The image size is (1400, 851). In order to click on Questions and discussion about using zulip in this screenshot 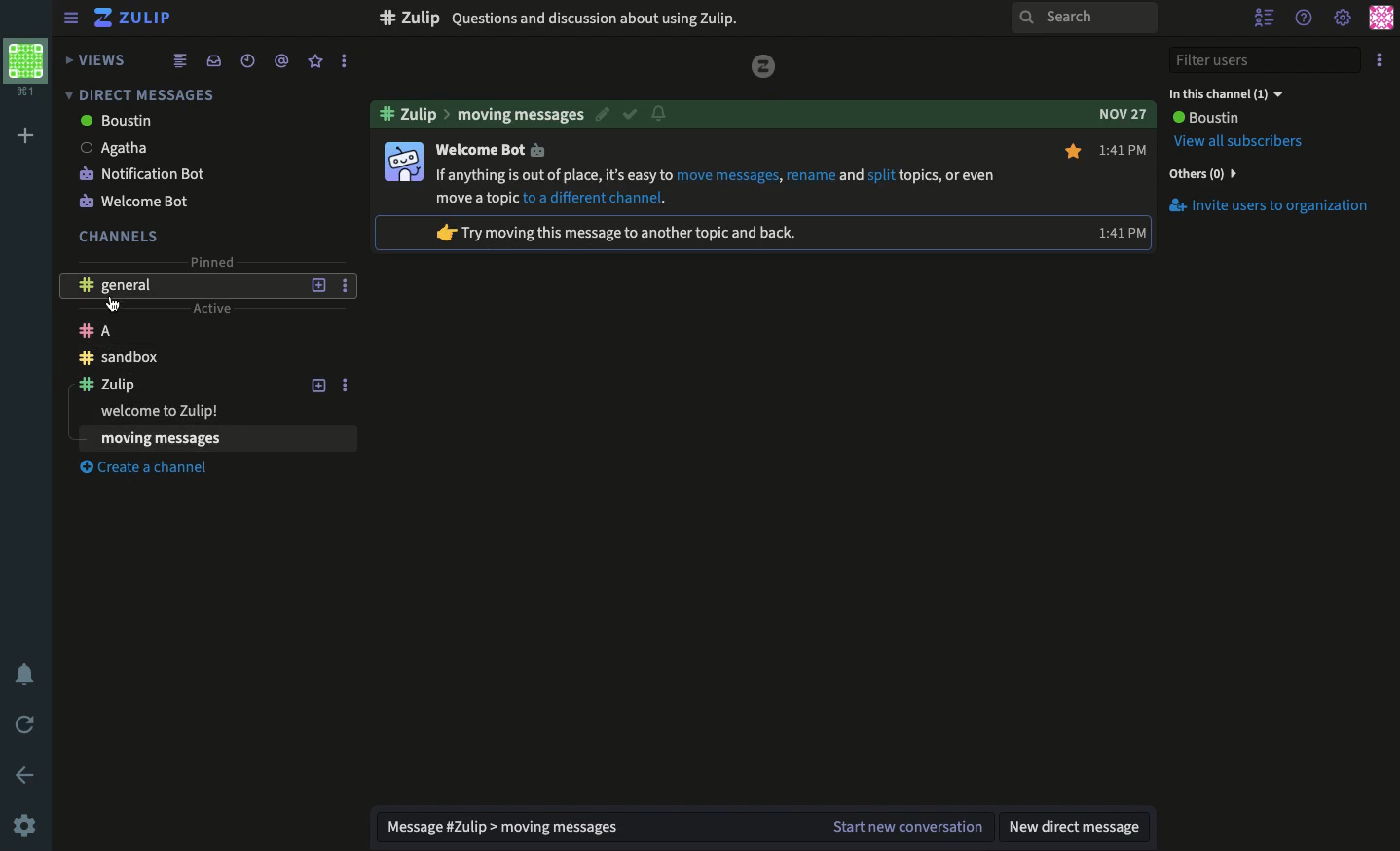, I will do `click(600, 18)`.